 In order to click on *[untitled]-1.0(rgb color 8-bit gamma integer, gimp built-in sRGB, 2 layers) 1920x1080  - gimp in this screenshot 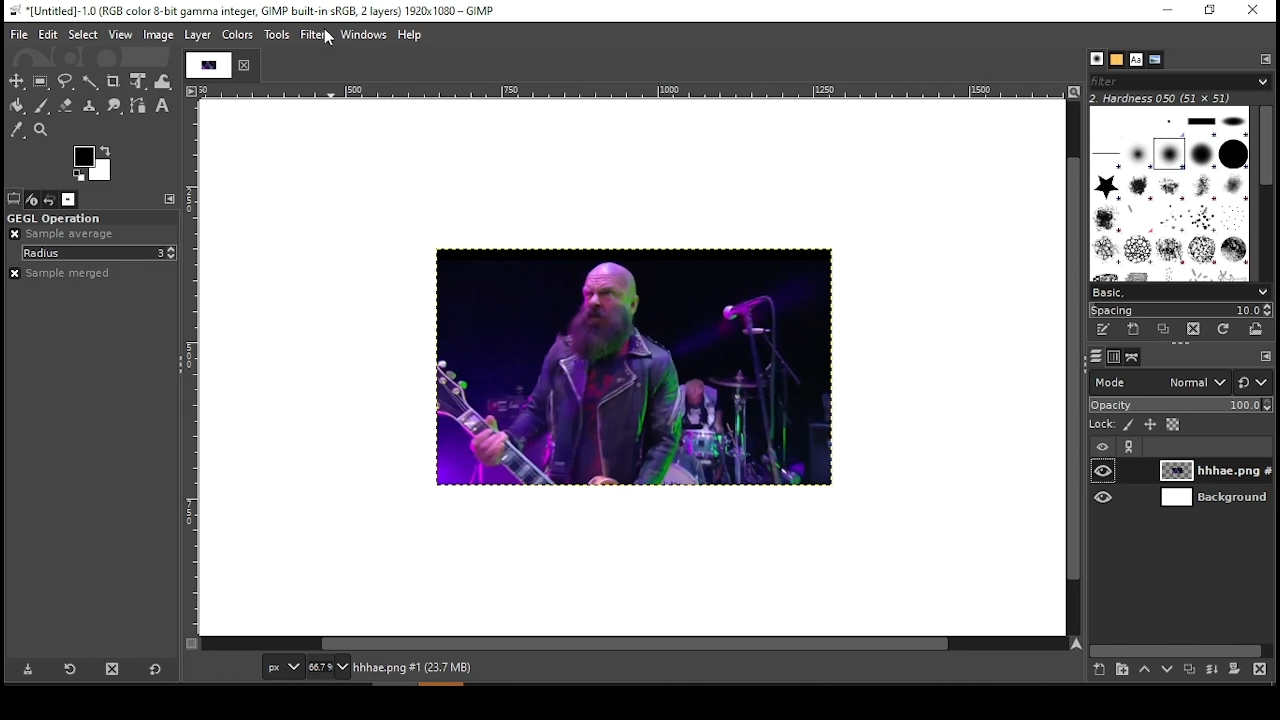, I will do `click(253, 10)`.